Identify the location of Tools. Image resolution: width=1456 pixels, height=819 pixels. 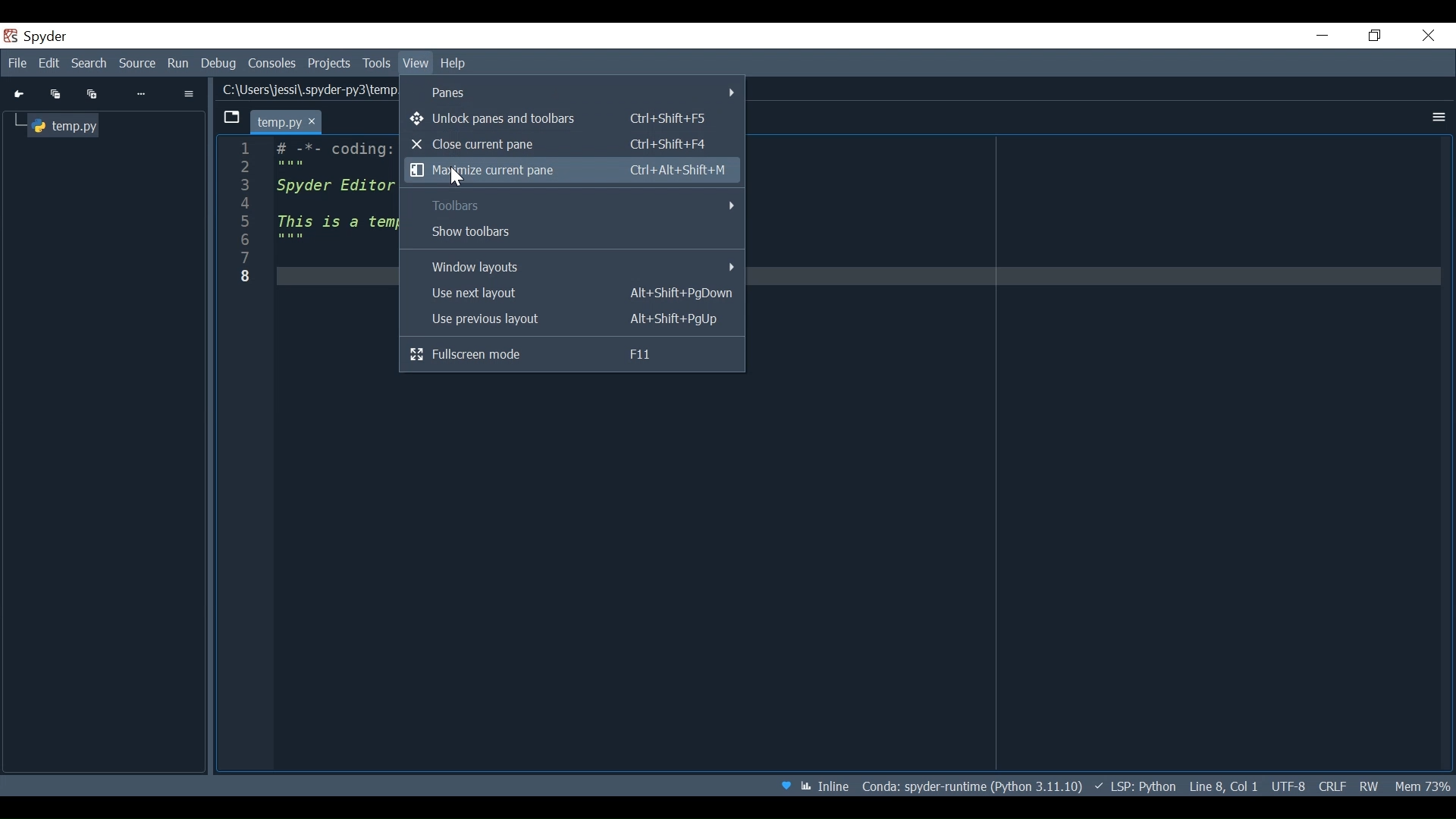
(377, 64).